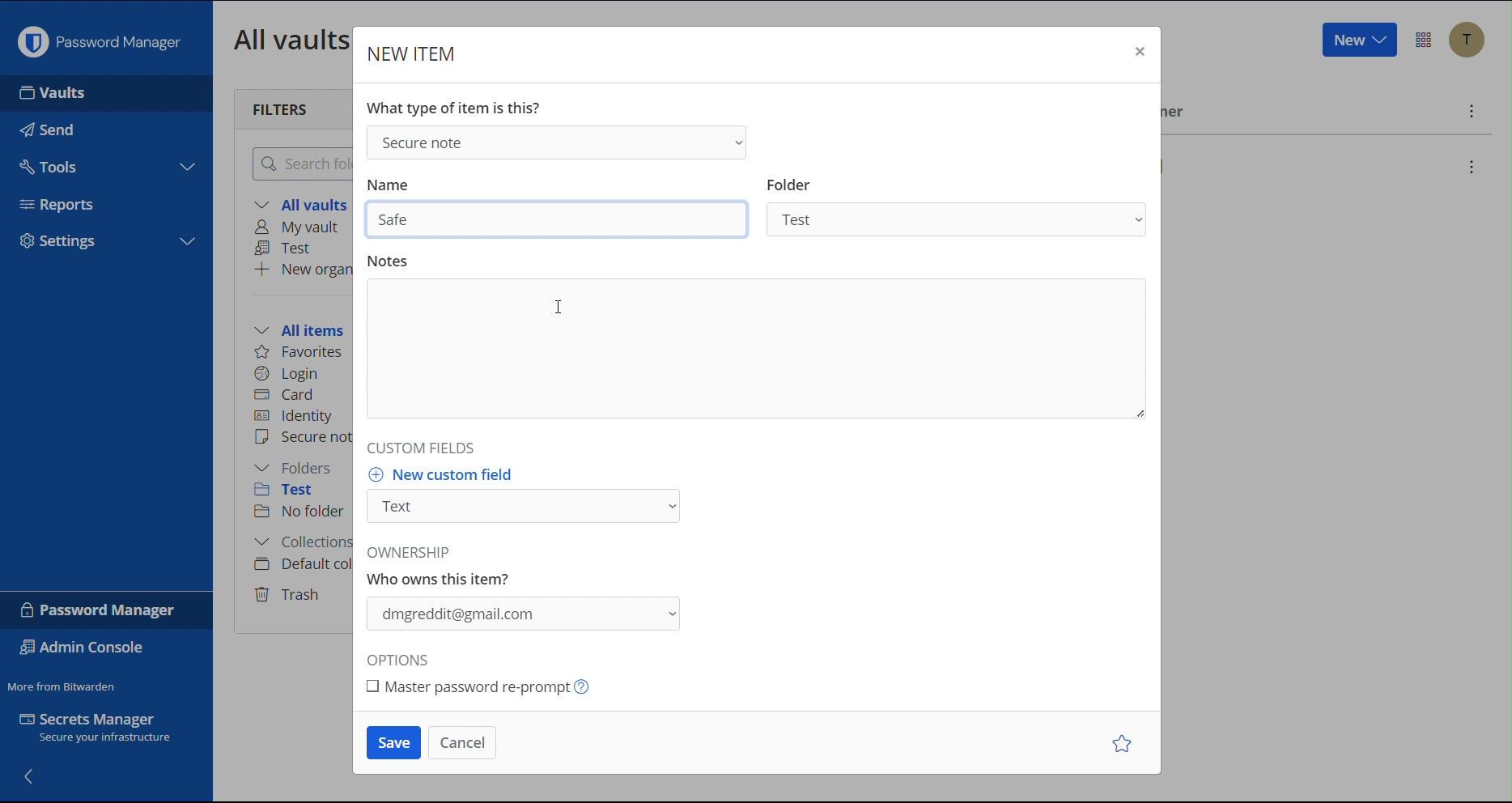 The height and width of the screenshot is (803, 1512). What do you see at coordinates (105, 731) in the screenshot?
I see `Secrets Manager` at bounding box center [105, 731].